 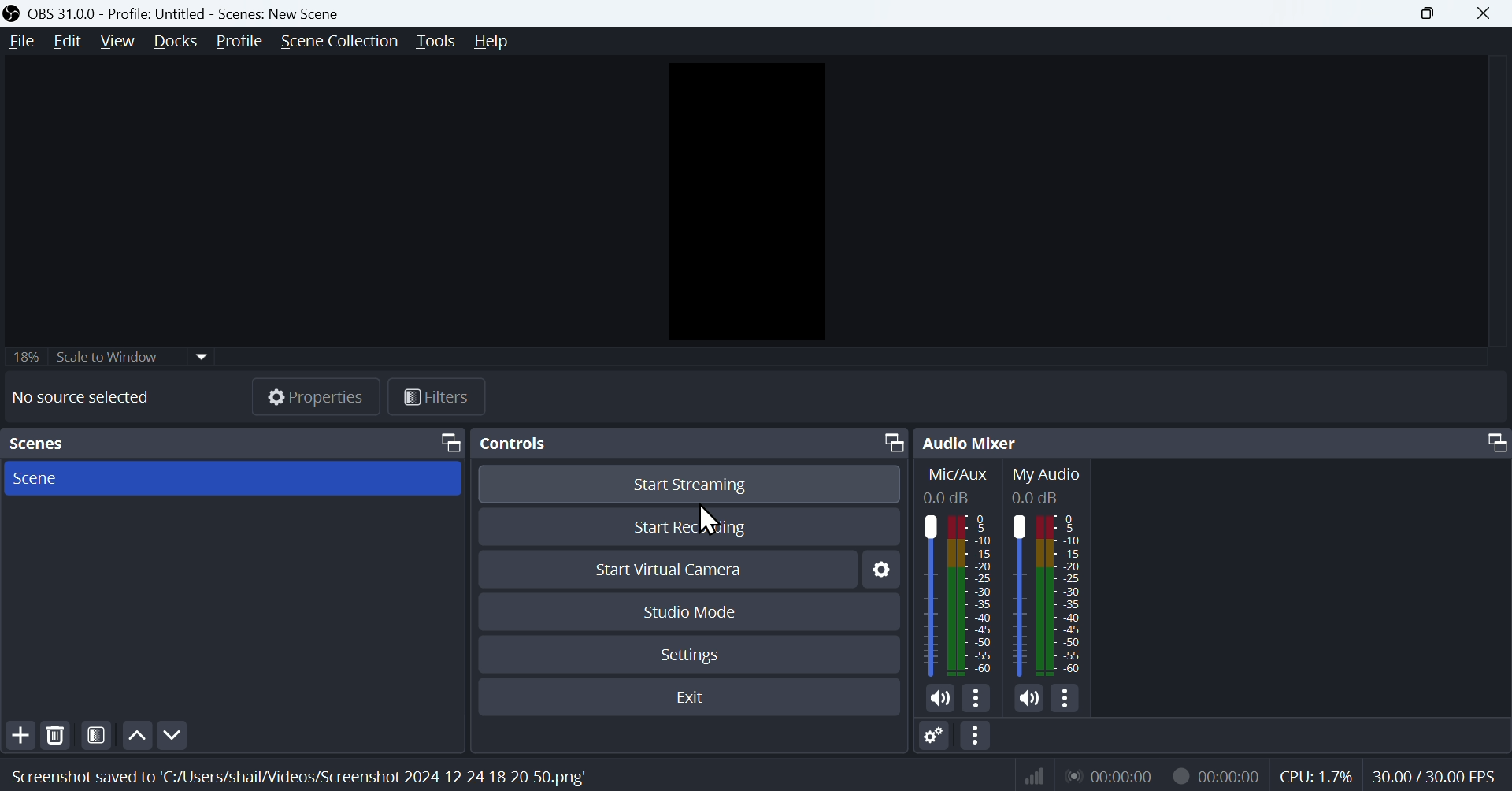 I want to click on Profle, so click(x=239, y=43).